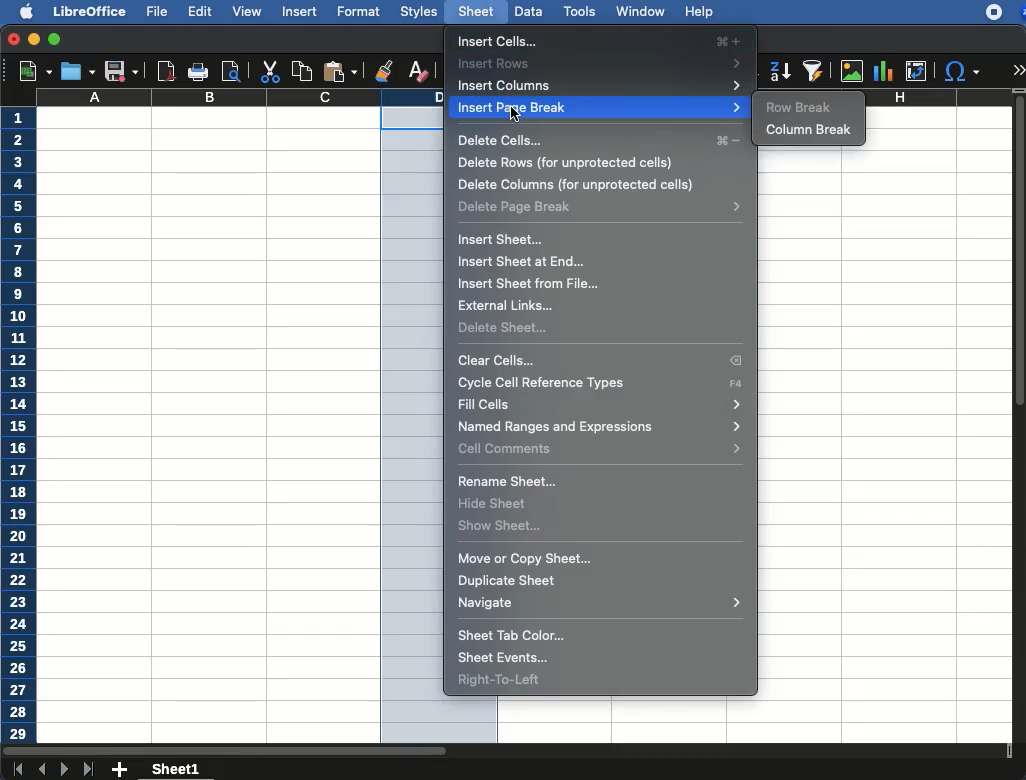  What do you see at coordinates (779, 68) in the screenshot?
I see `descendinga` at bounding box center [779, 68].